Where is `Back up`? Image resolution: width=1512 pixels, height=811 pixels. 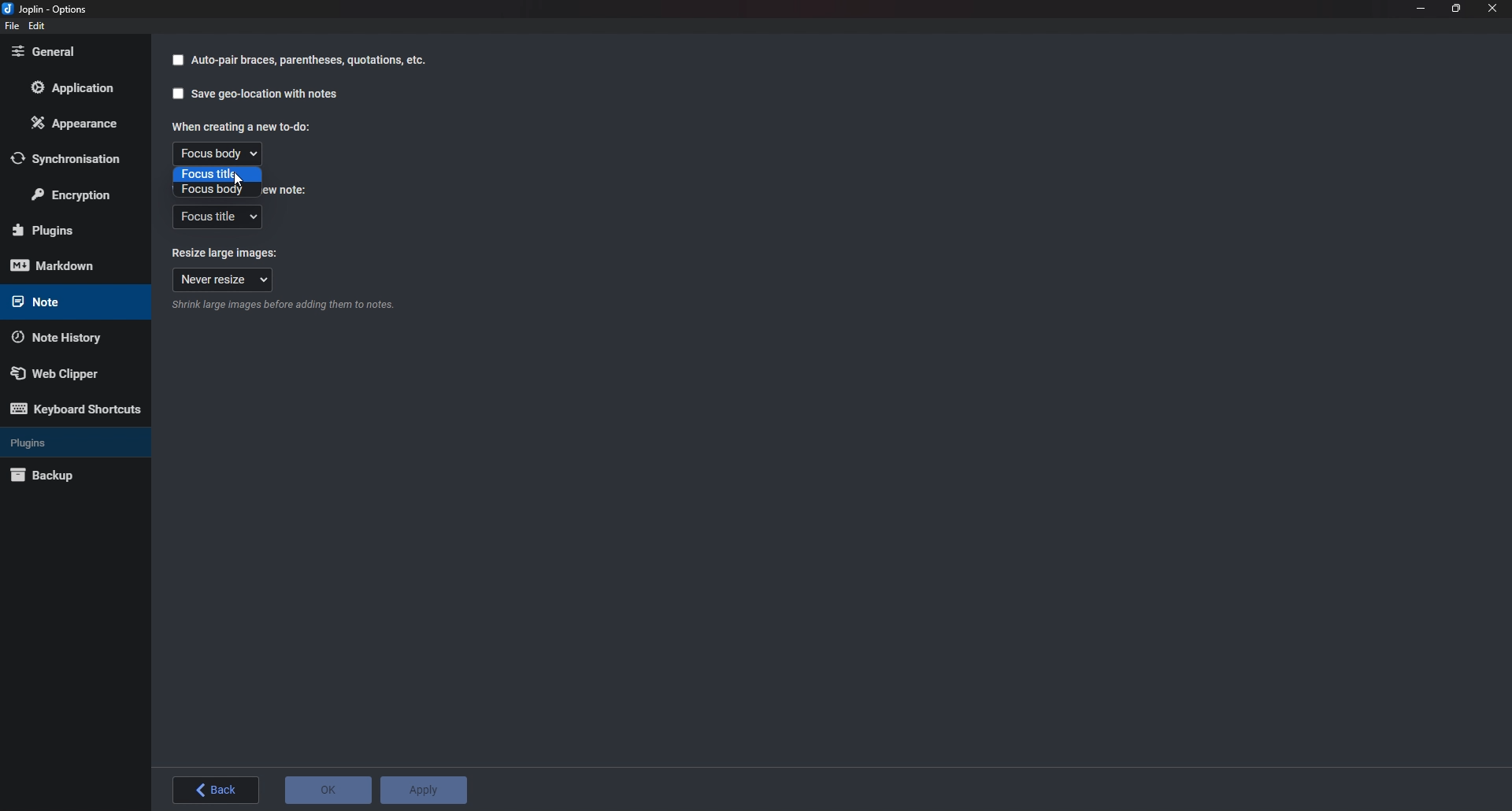
Back up is located at coordinates (69, 474).